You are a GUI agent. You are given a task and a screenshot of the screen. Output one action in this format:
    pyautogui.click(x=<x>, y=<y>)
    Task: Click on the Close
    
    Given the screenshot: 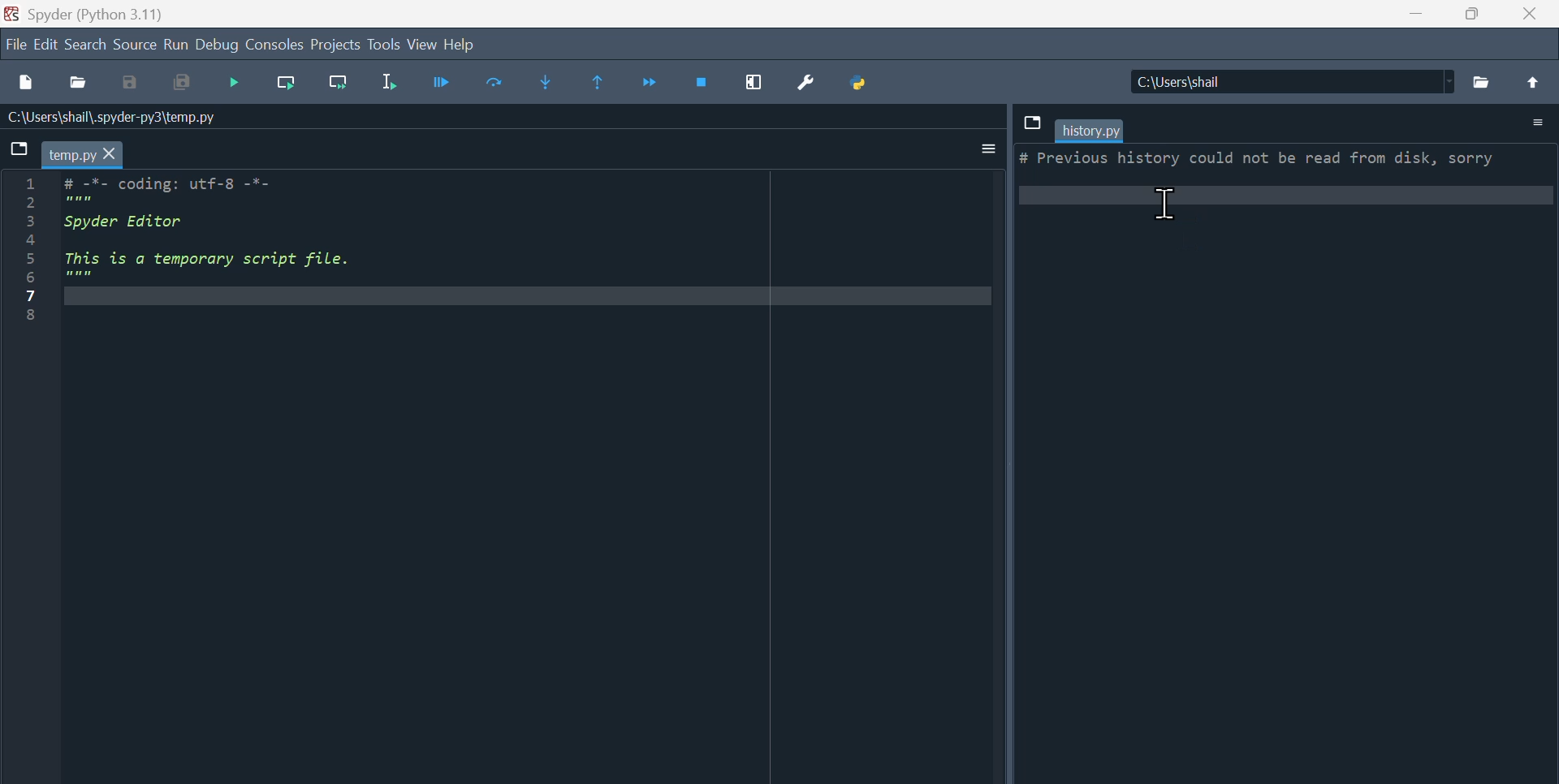 What is the action you would take?
    pyautogui.click(x=1529, y=14)
    